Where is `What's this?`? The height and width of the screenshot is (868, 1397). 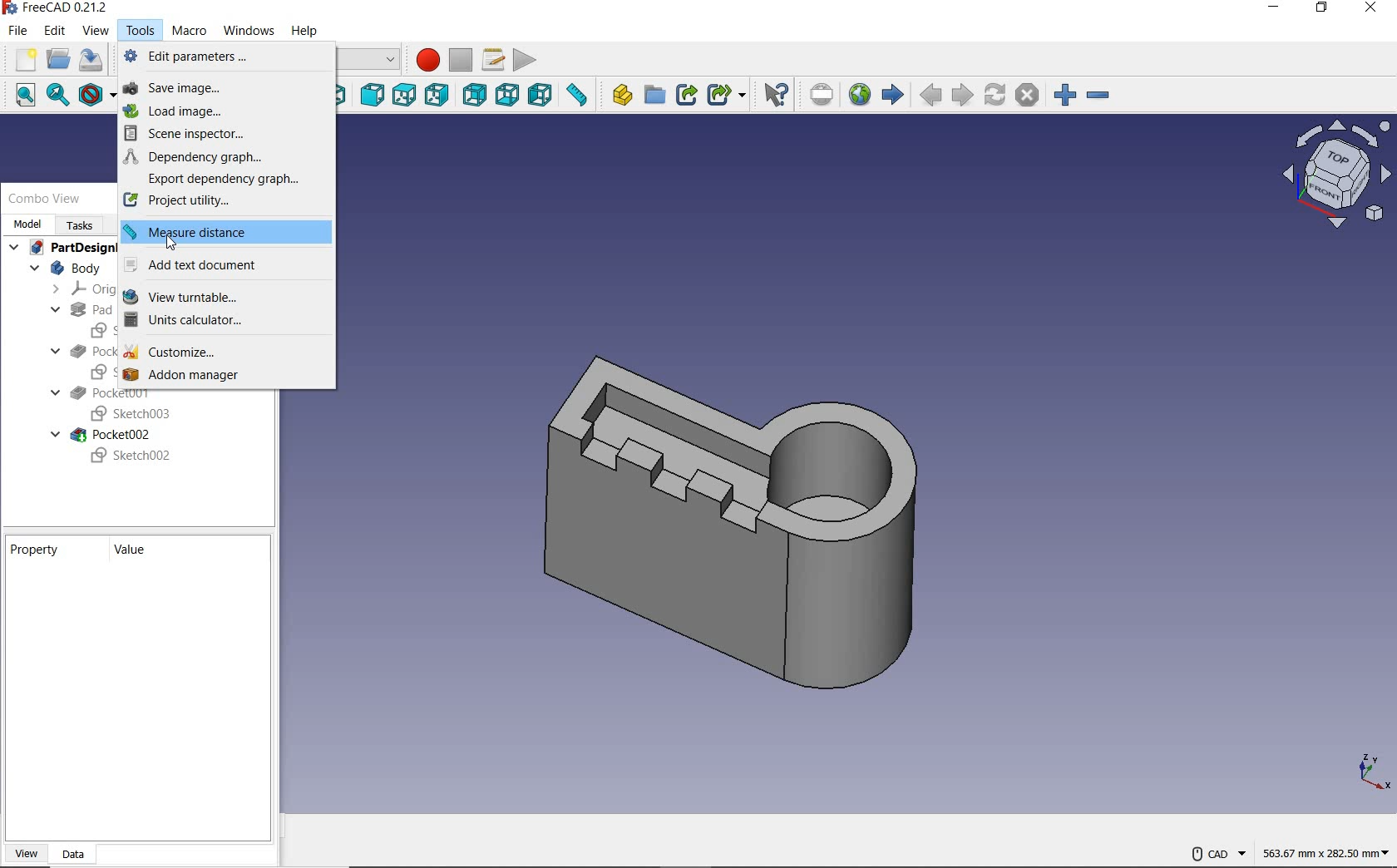
What's this? is located at coordinates (775, 95).